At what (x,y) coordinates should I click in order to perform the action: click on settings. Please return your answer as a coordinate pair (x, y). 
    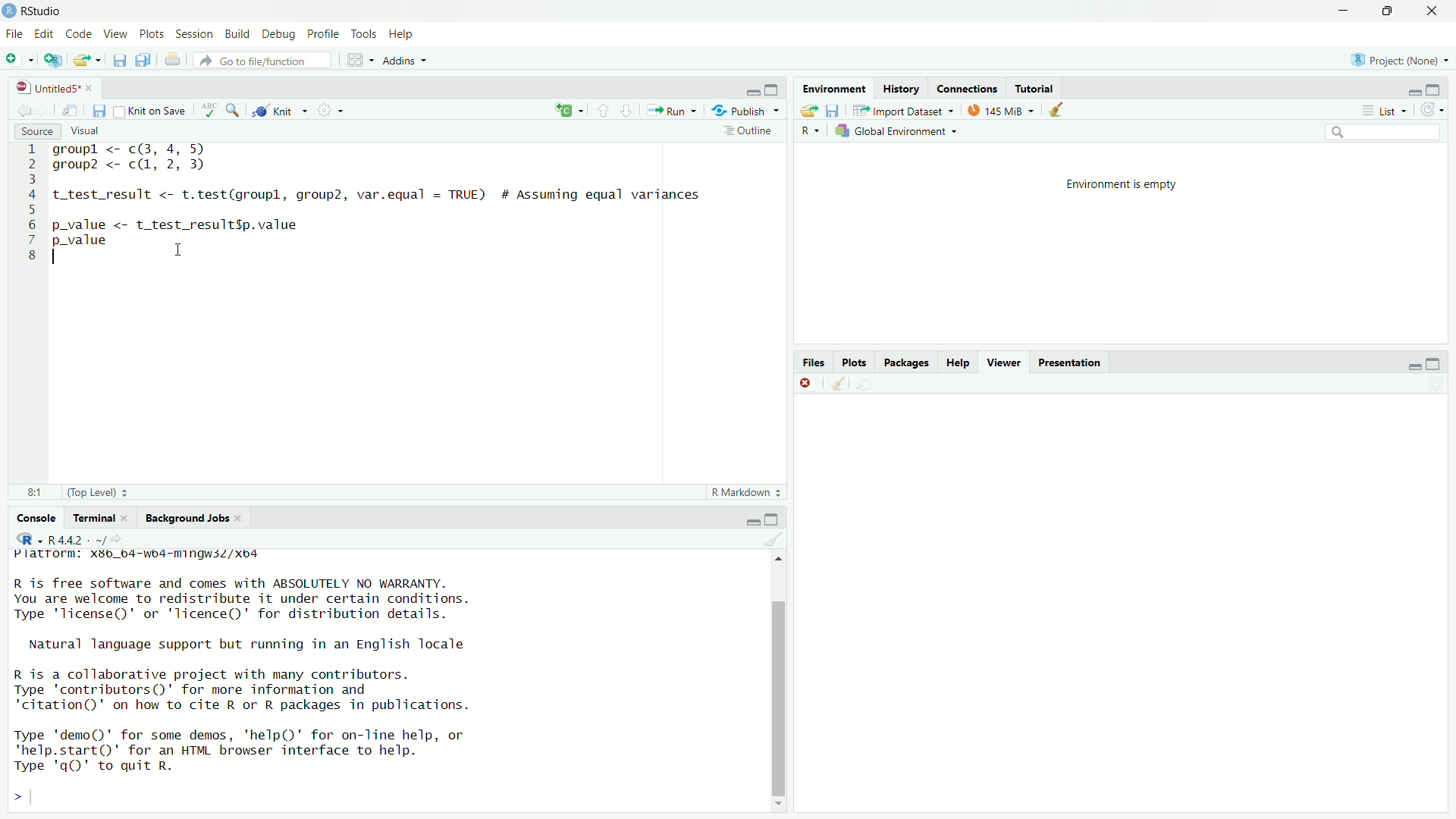
    Looking at the image, I should click on (331, 109).